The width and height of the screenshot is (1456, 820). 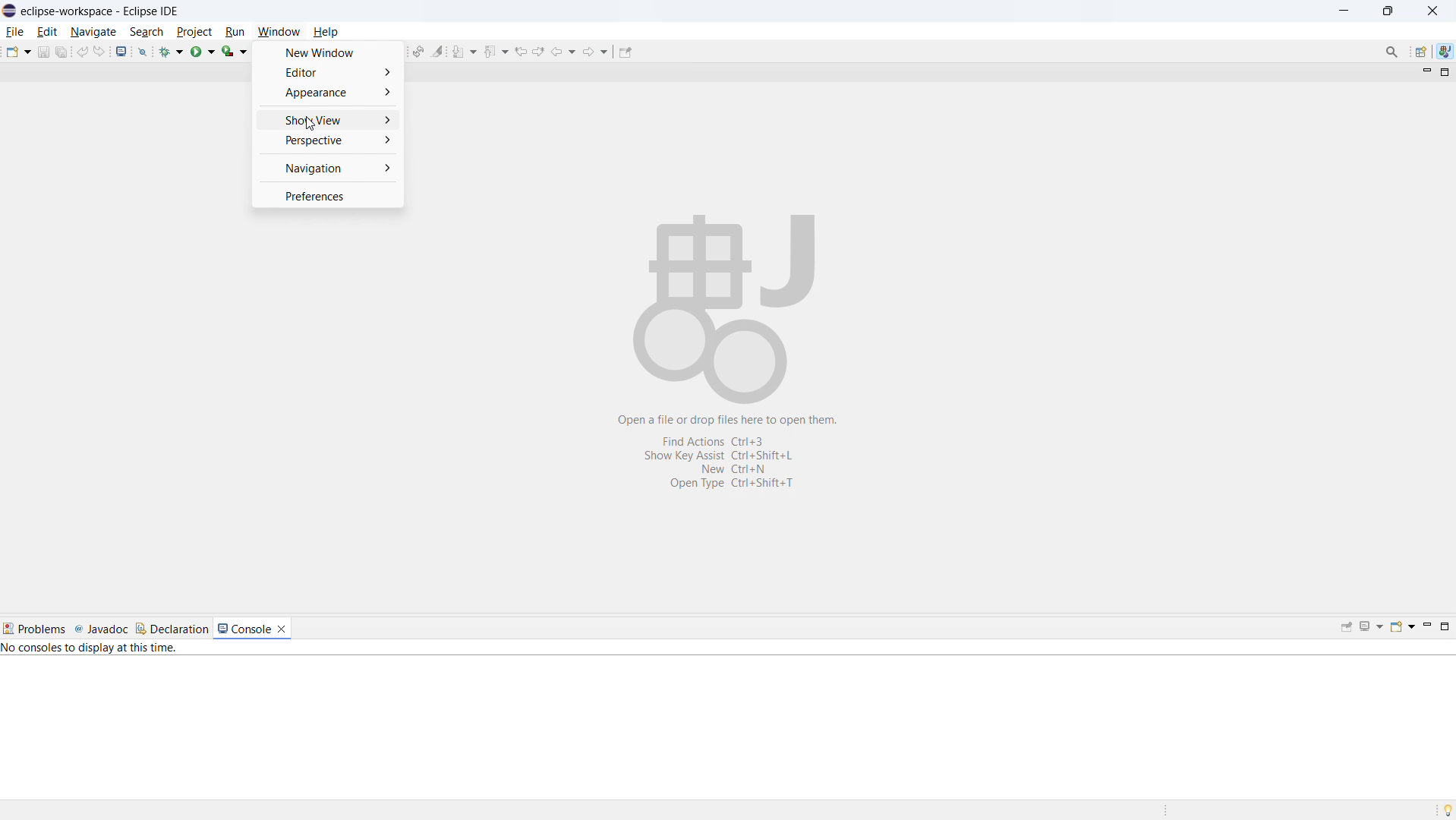 I want to click on pin console, so click(x=1347, y=627).